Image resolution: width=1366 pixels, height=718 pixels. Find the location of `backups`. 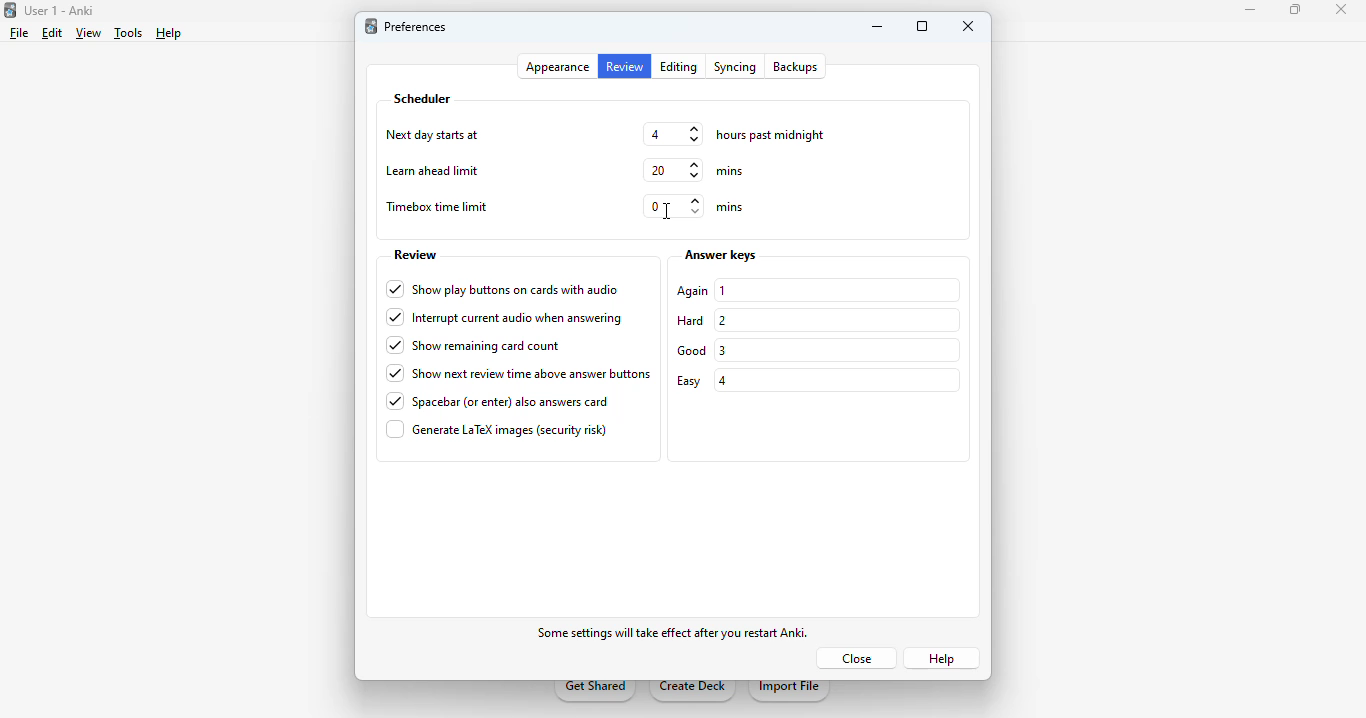

backups is located at coordinates (796, 67).